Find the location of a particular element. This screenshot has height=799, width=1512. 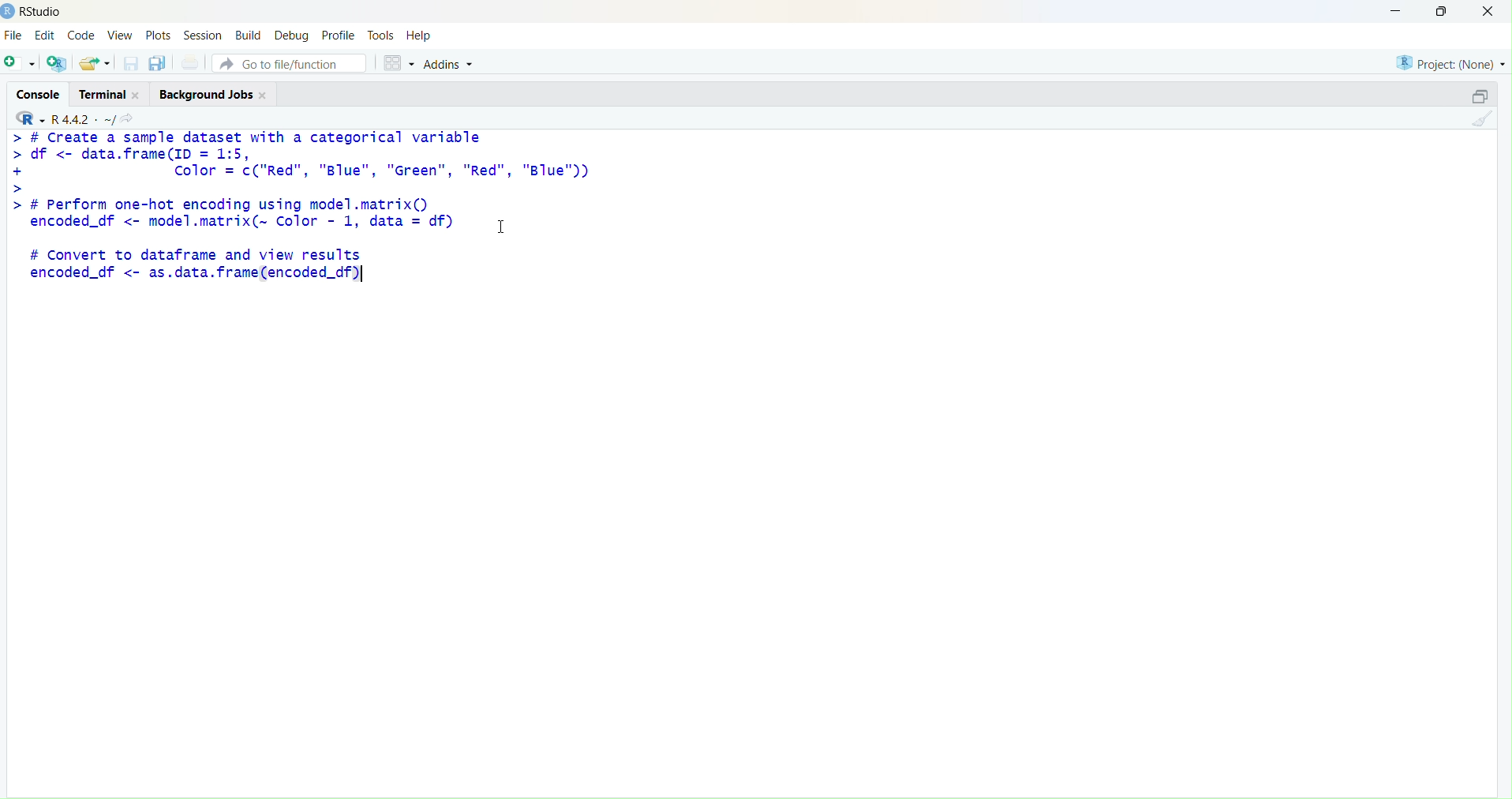

terminal is located at coordinates (102, 96).